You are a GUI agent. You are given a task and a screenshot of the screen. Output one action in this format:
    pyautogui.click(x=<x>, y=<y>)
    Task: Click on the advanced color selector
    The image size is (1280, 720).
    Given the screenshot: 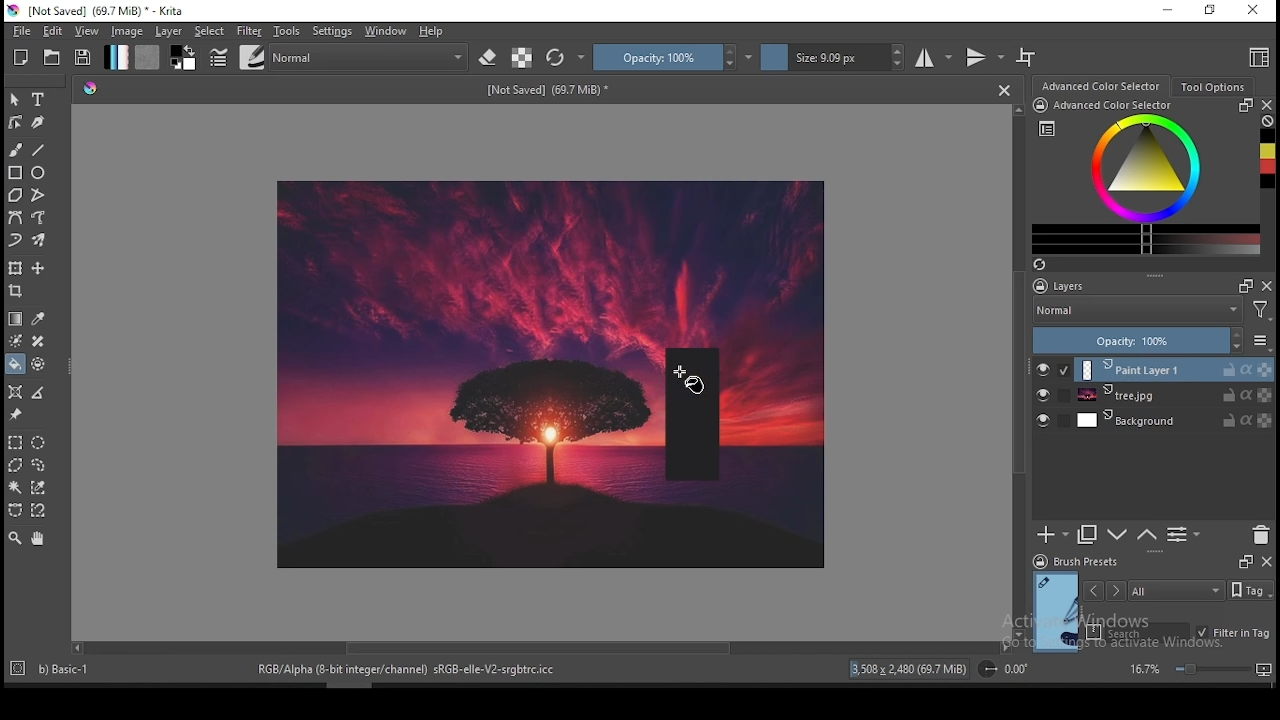 What is the action you would take?
    pyautogui.click(x=1146, y=177)
    